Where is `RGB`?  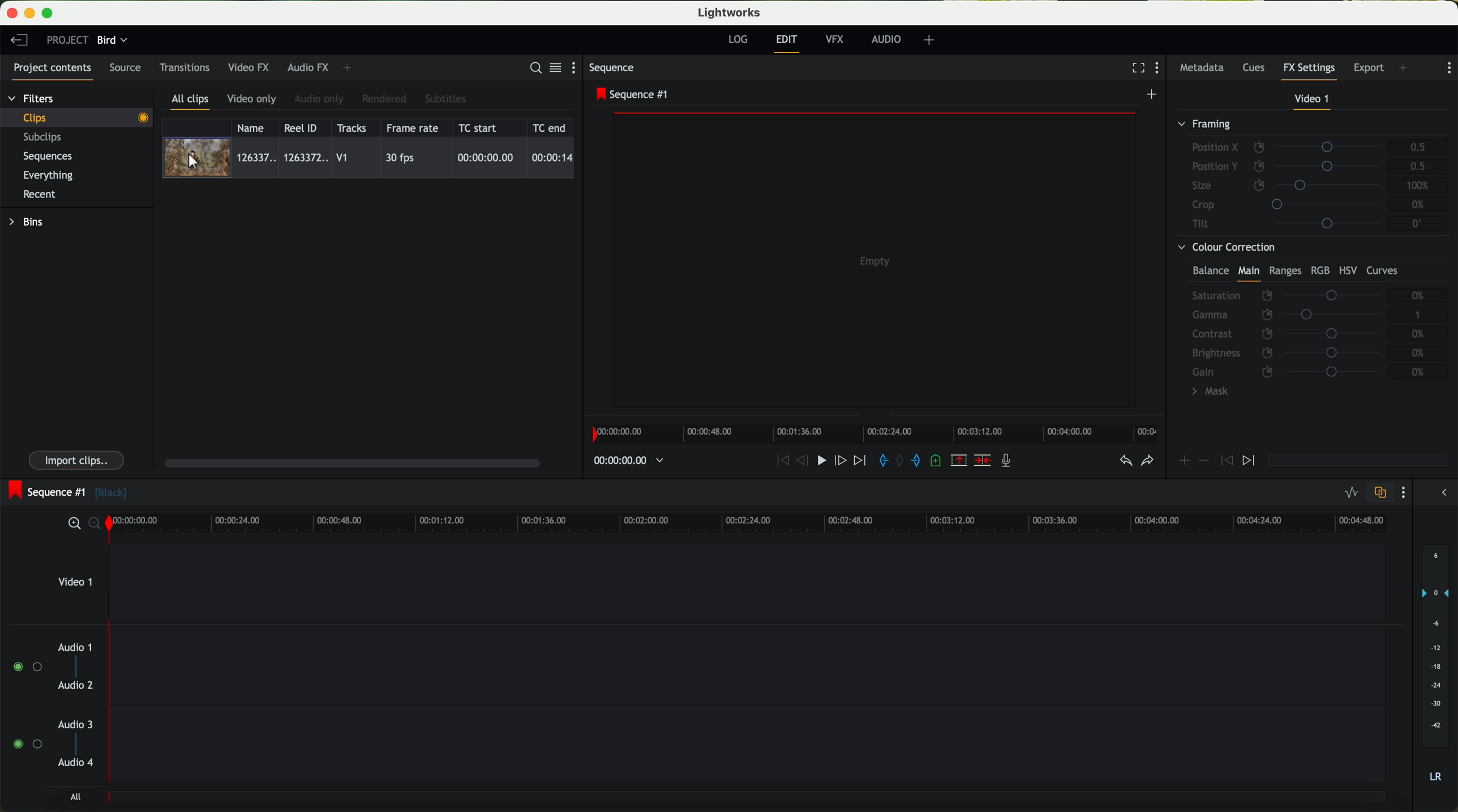 RGB is located at coordinates (1319, 269).